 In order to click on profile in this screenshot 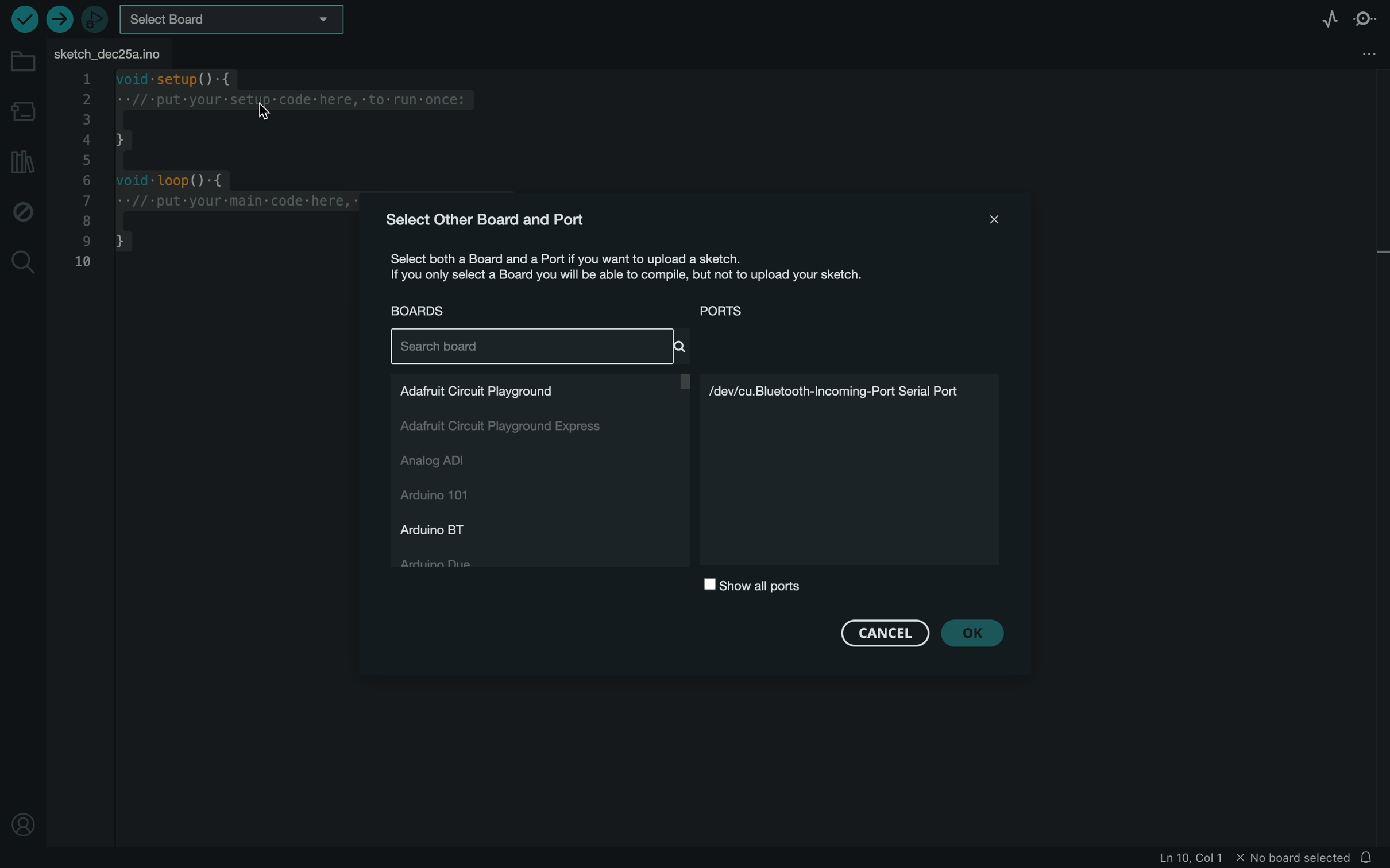, I will do `click(22, 827)`.